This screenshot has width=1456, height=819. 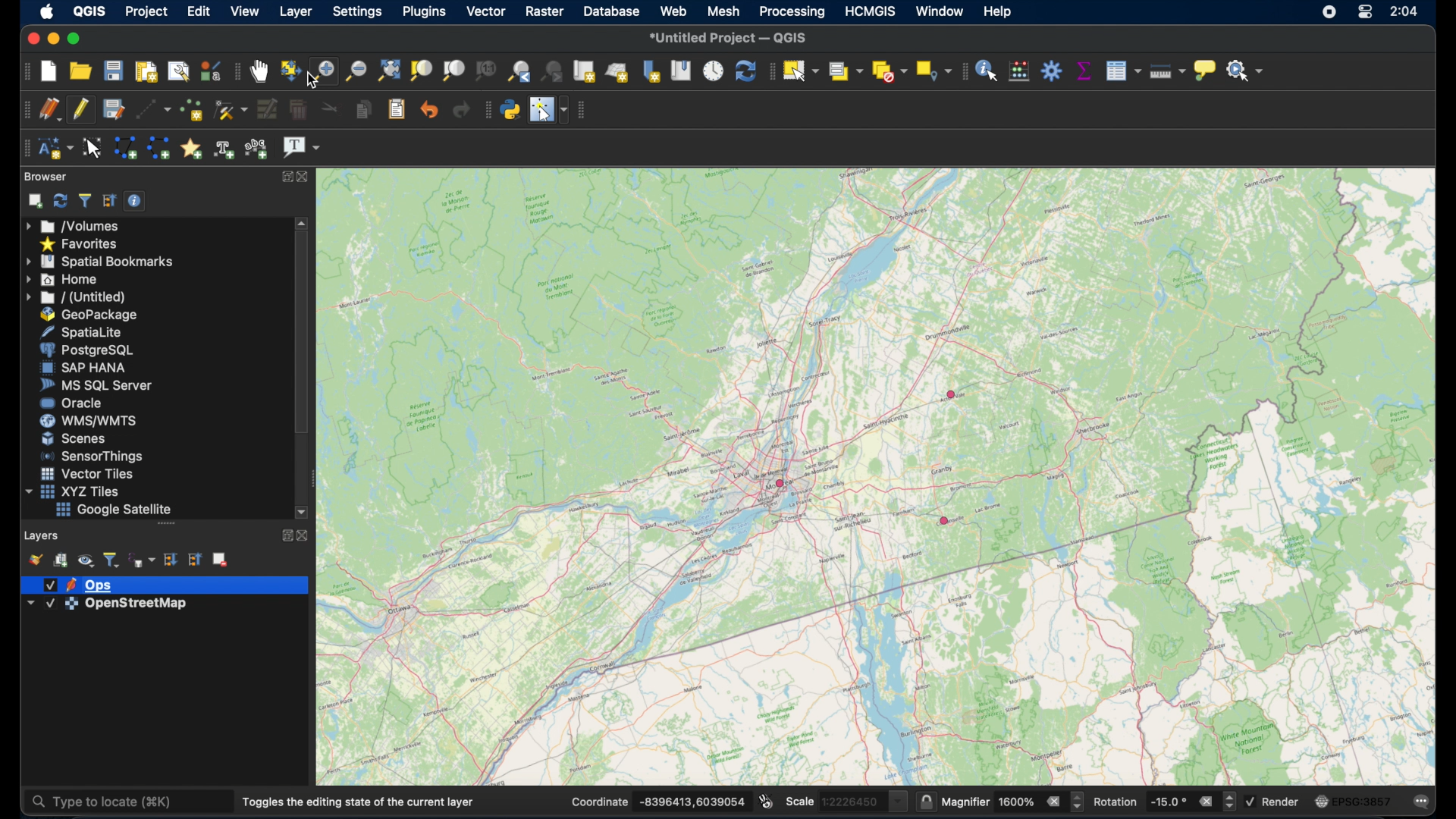 What do you see at coordinates (80, 71) in the screenshot?
I see `open project` at bounding box center [80, 71].